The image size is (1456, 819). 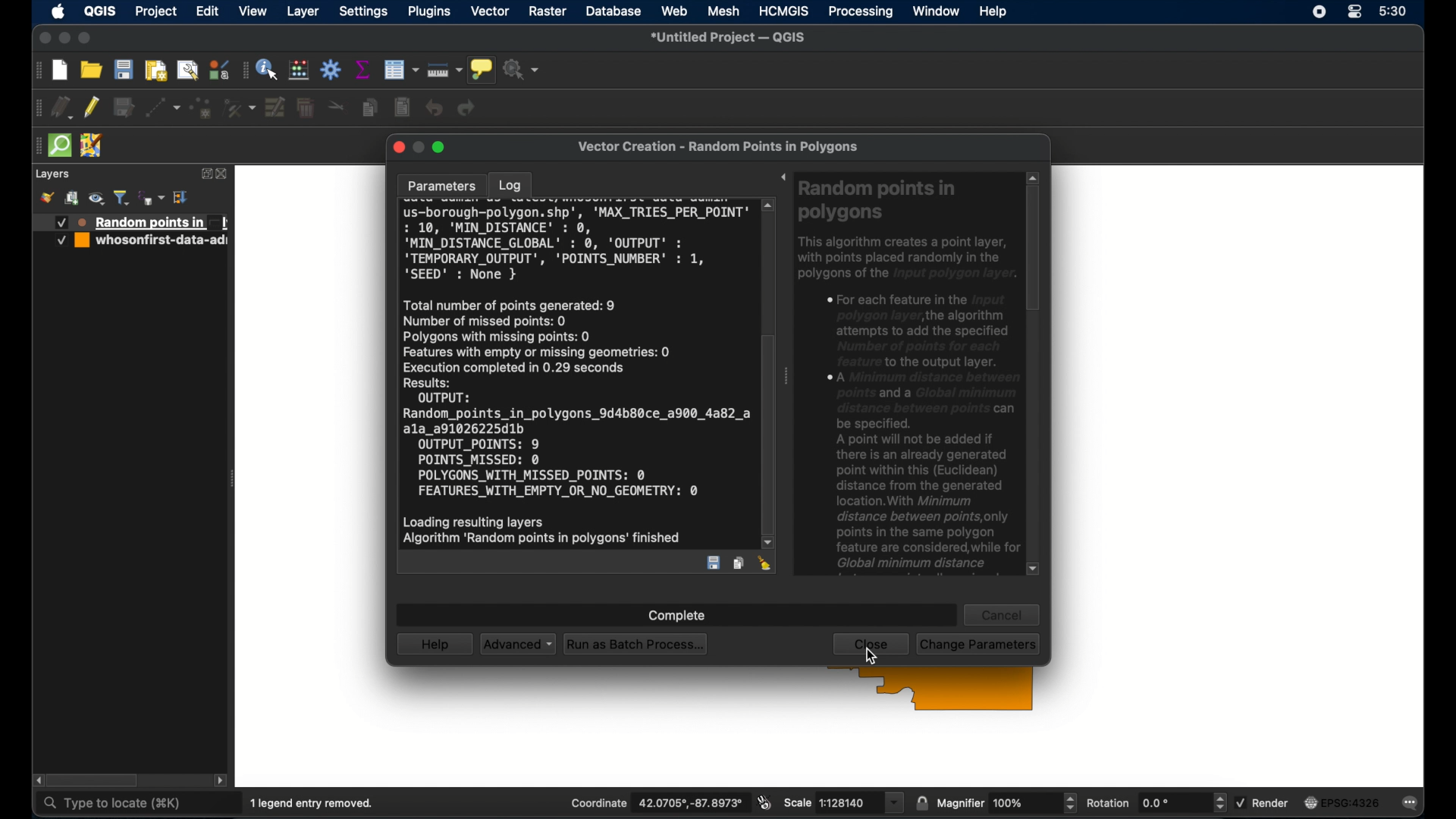 What do you see at coordinates (122, 105) in the screenshot?
I see `save edits` at bounding box center [122, 105].